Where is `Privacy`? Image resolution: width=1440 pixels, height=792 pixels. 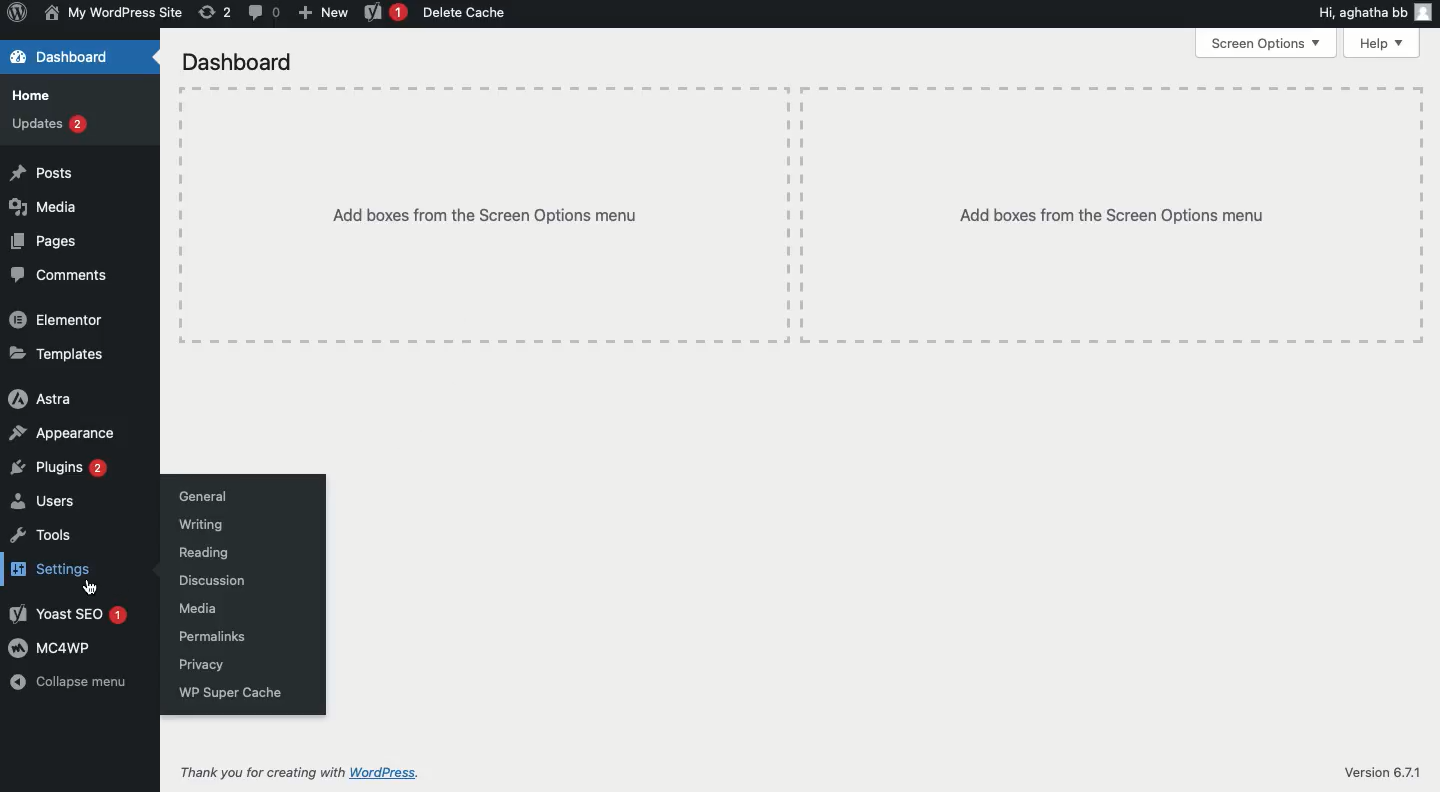 Privacy is located at coordinates (202, 664).